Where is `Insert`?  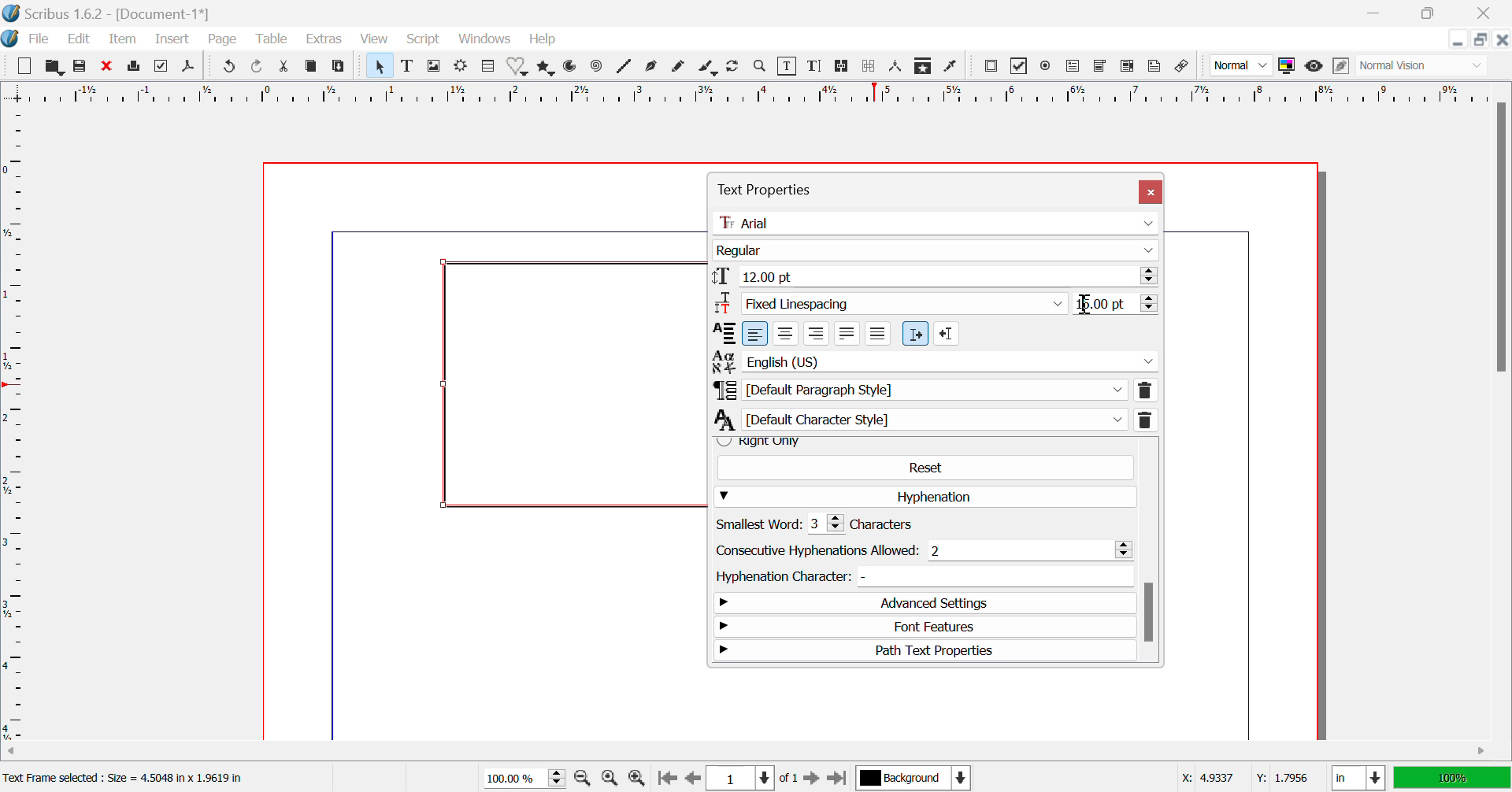 Insert is located at coordinates (174, 39).